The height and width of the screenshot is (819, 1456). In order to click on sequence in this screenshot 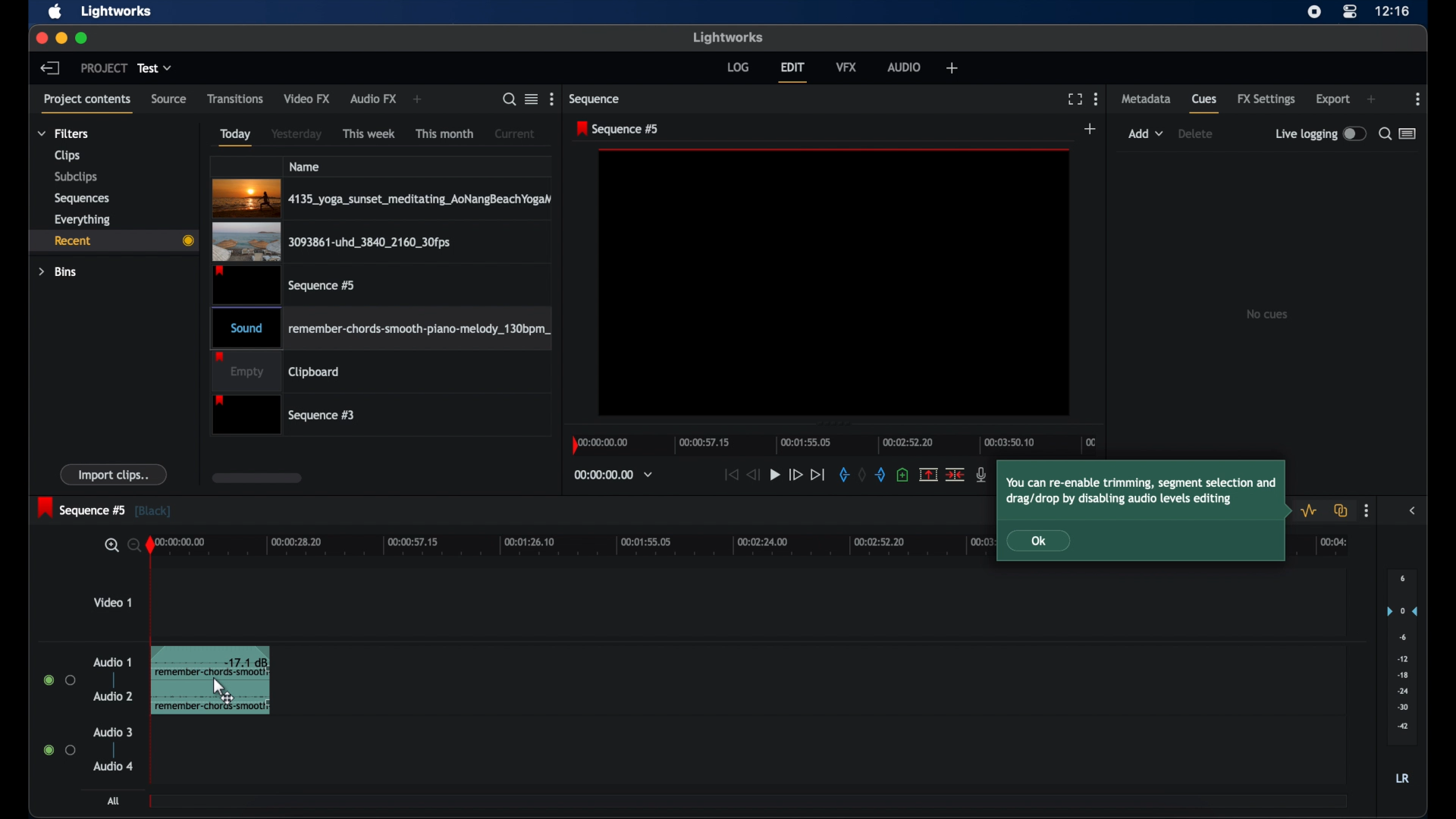, I will do `click(597, 99)`.